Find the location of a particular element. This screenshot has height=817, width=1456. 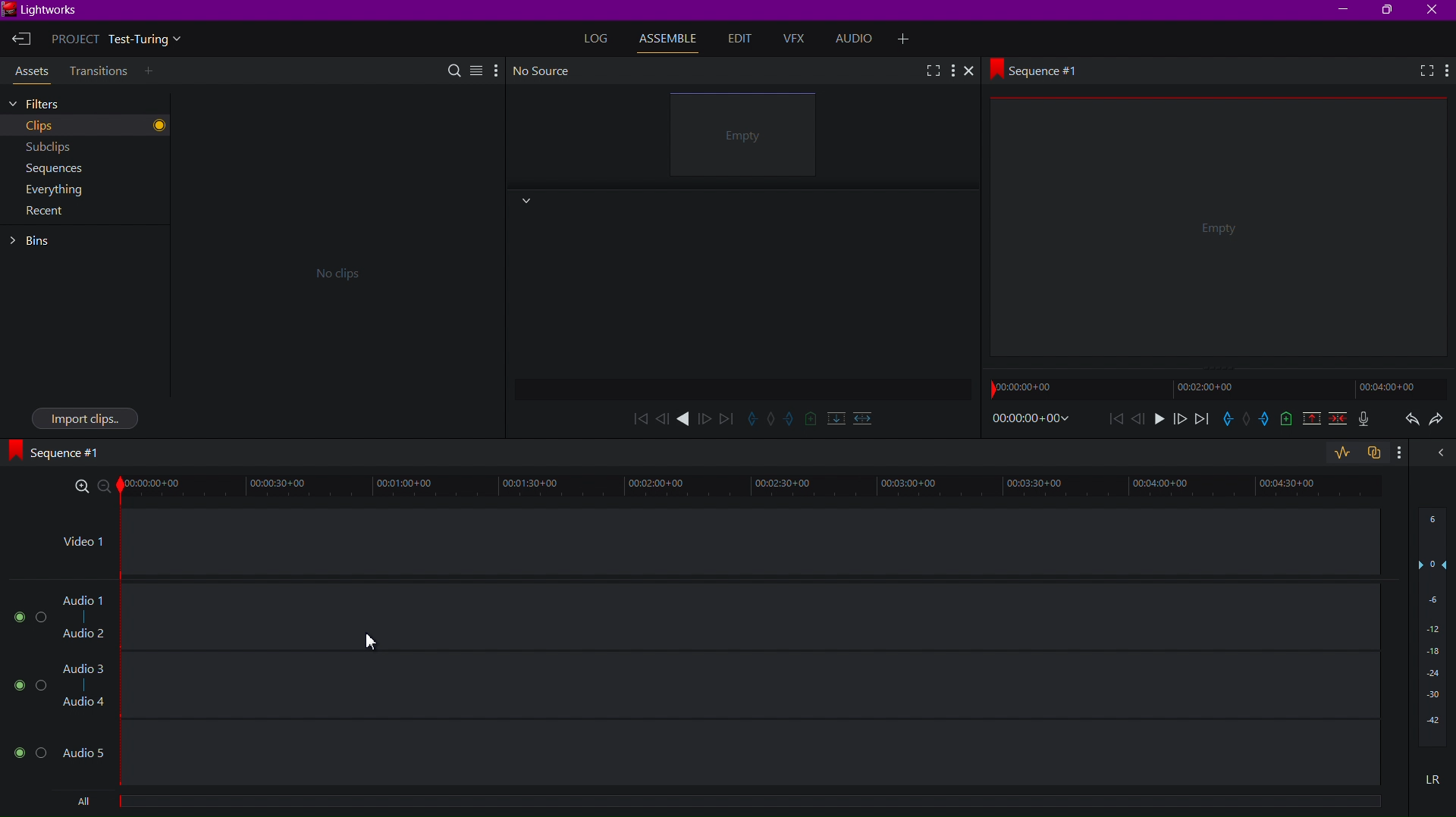

No Source is located at coordinates (544, 70).